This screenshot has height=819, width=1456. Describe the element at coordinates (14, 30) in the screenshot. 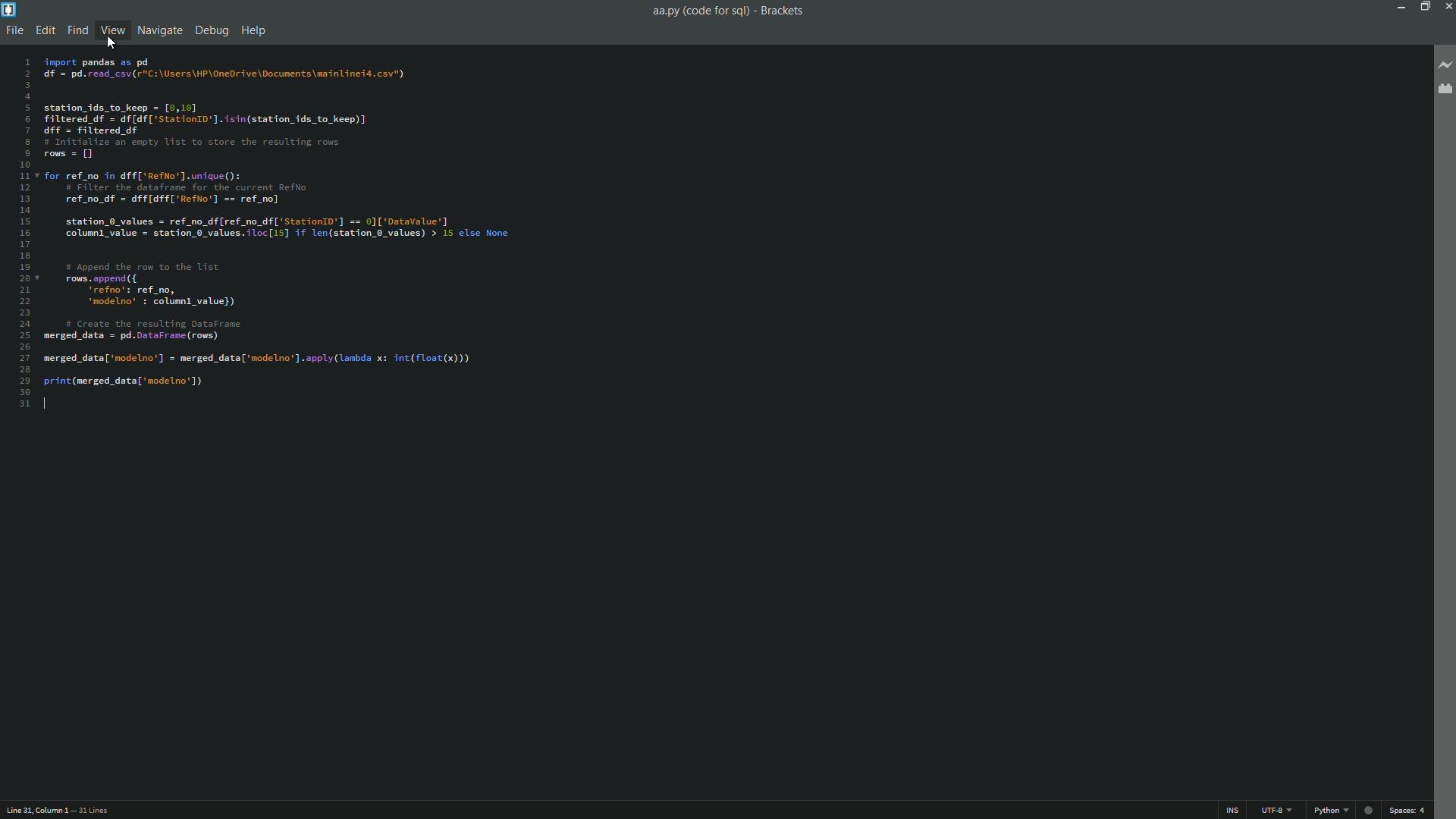

I see `file menu` at that location.